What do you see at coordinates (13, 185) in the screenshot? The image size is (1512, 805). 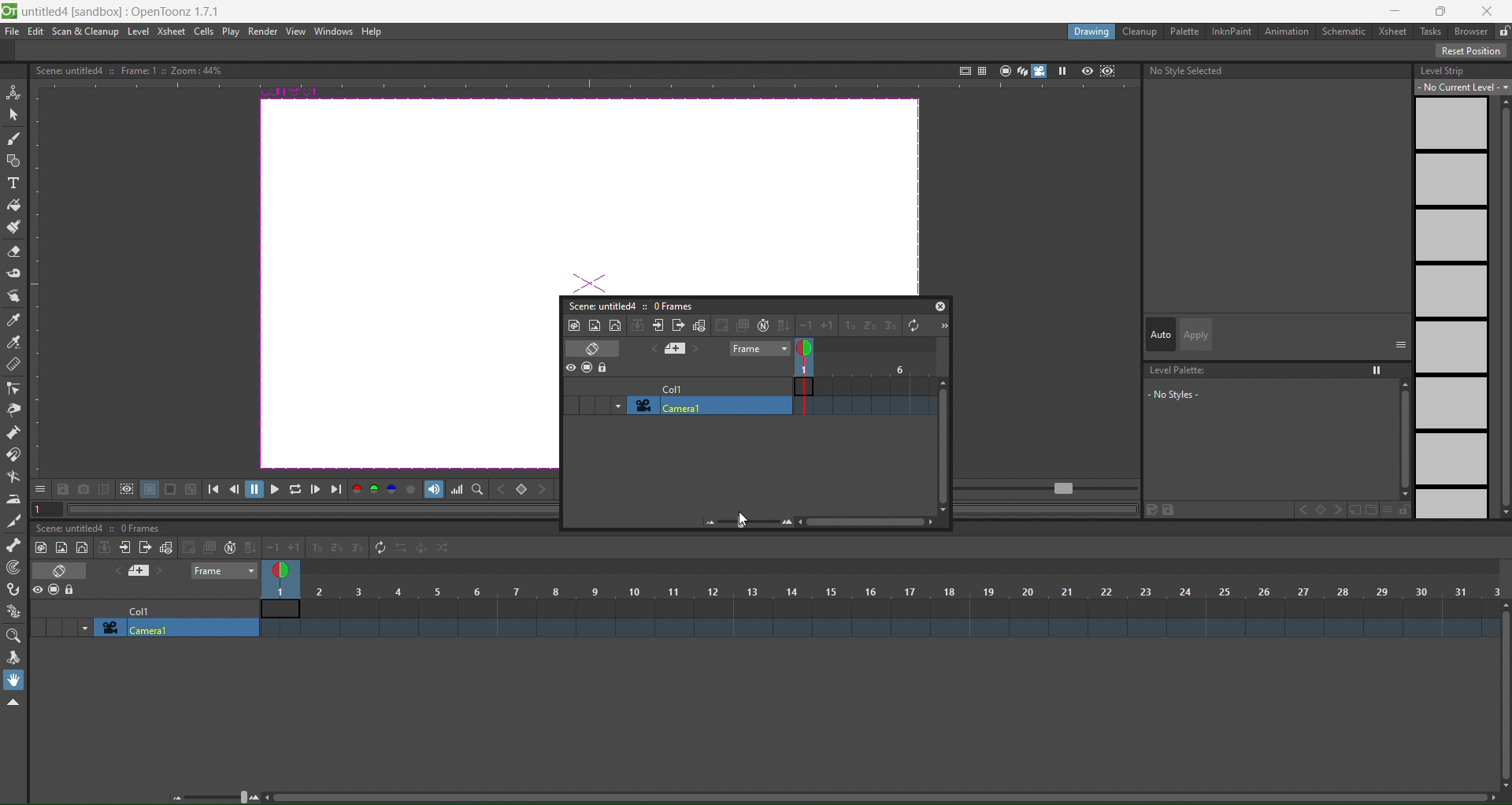 I see `type tool` at bounding box center [13, 185].